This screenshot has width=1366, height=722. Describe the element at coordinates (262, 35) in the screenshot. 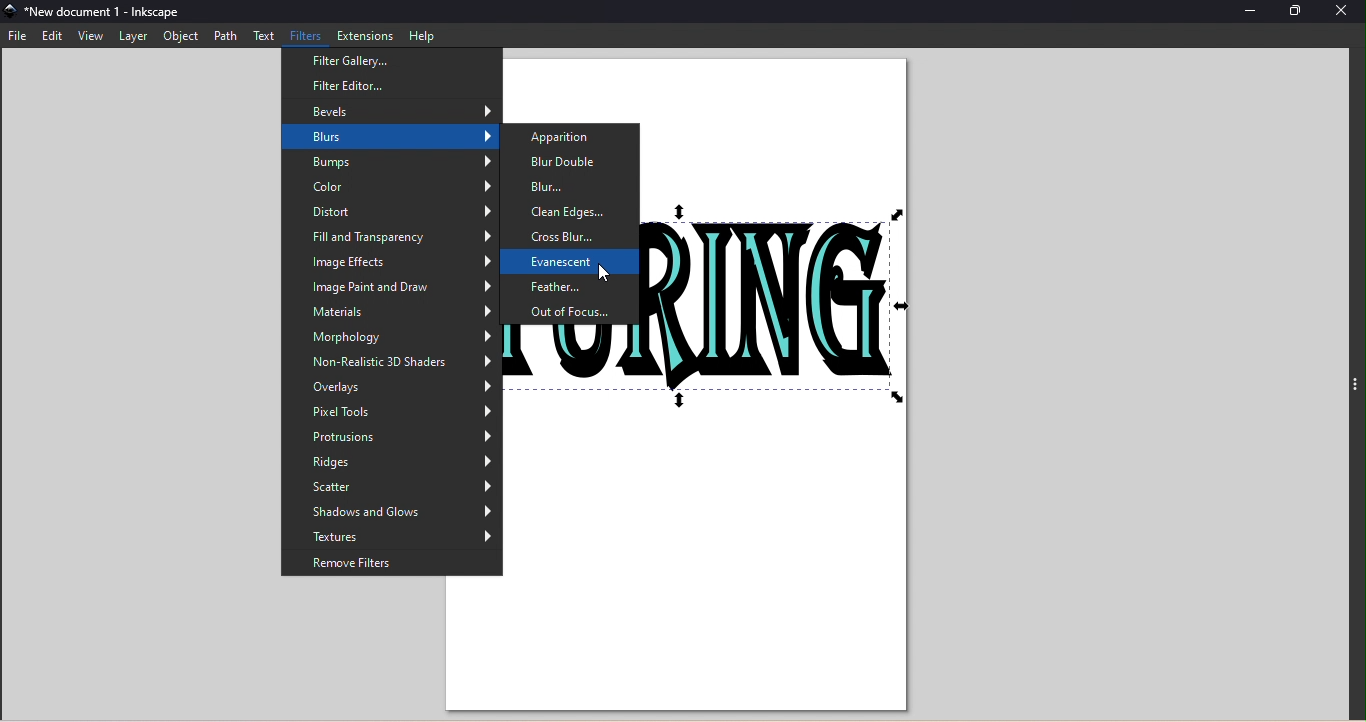

I see `Text` at that location.